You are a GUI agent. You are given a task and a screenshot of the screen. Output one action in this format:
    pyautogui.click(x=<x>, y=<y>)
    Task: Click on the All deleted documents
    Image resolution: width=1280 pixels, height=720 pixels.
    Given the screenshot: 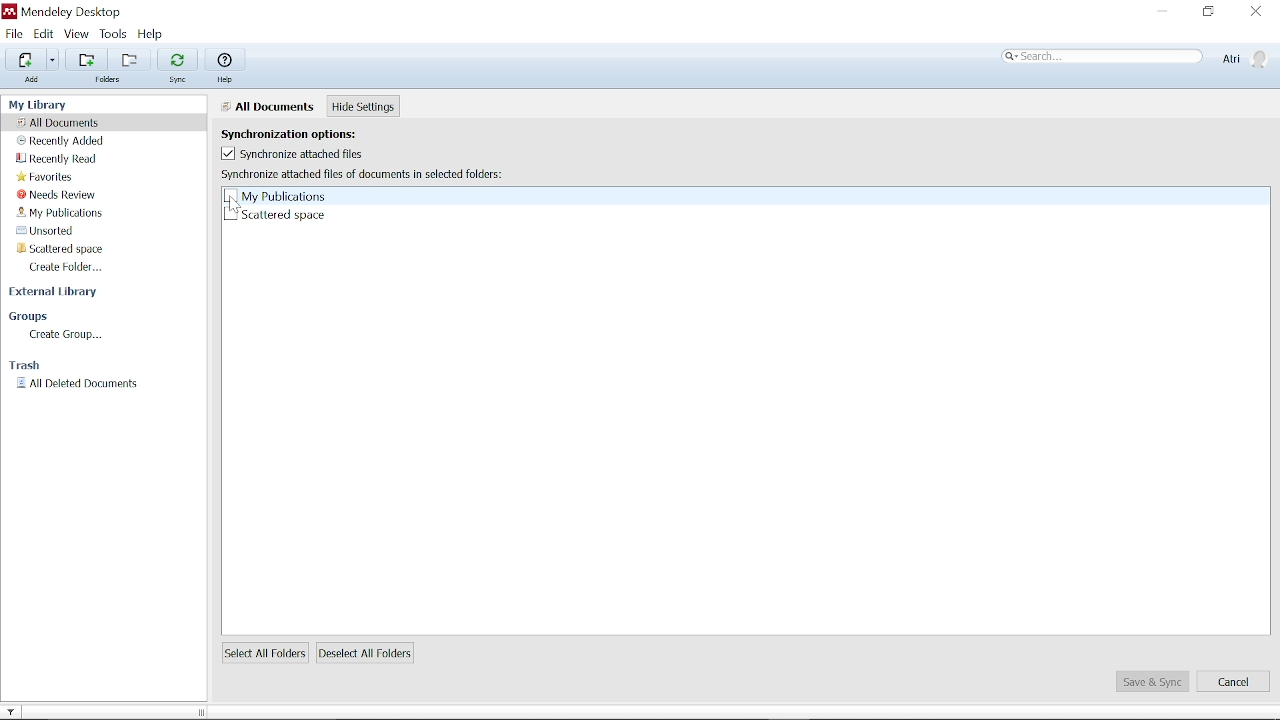 What is the action you would take?
    pyautogui.click(x=76, y=383)
    